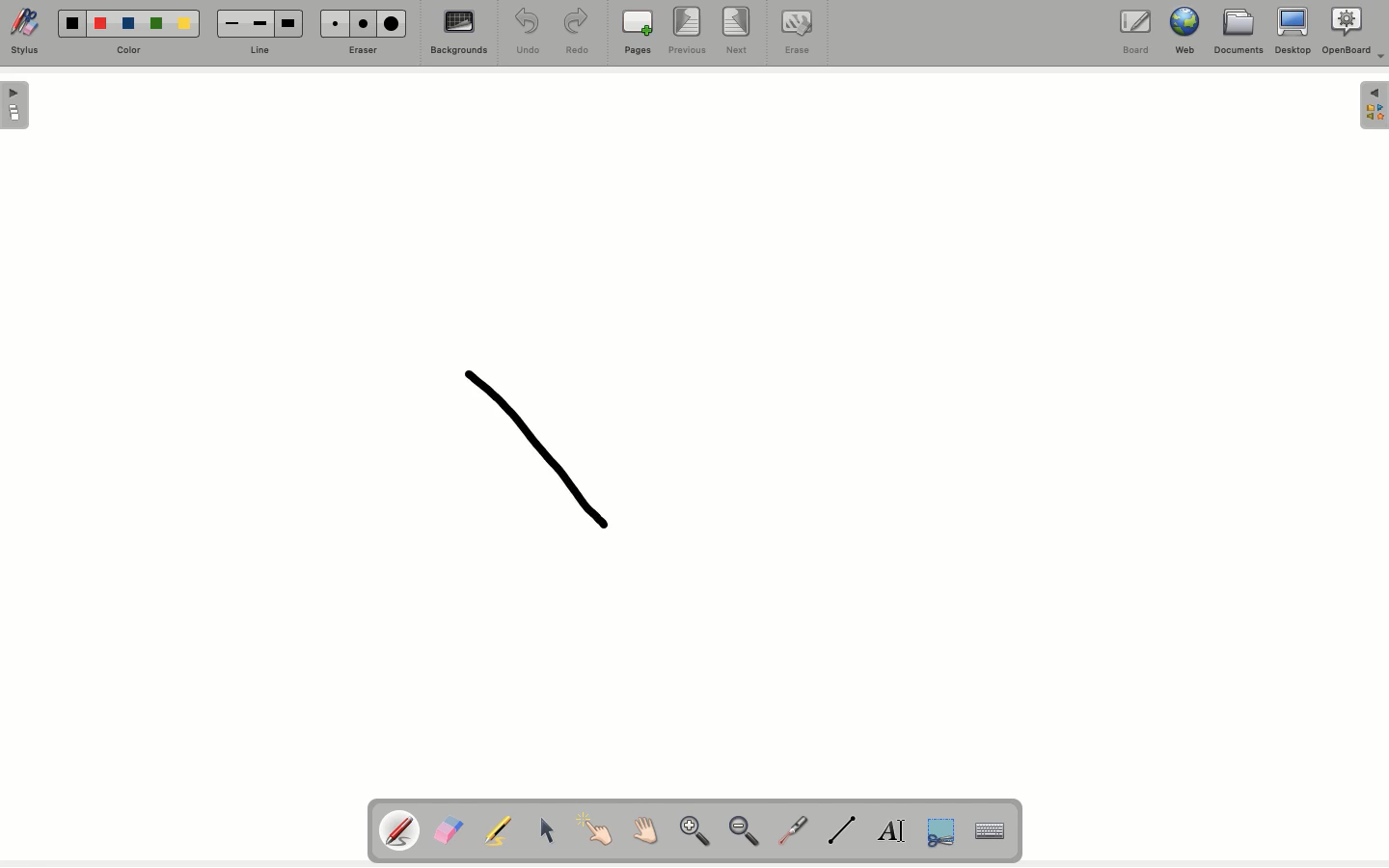  What do you see at coordinates (1136, 35) in the screenshot?
I see `Borad` at bounding box center [1136, 35].